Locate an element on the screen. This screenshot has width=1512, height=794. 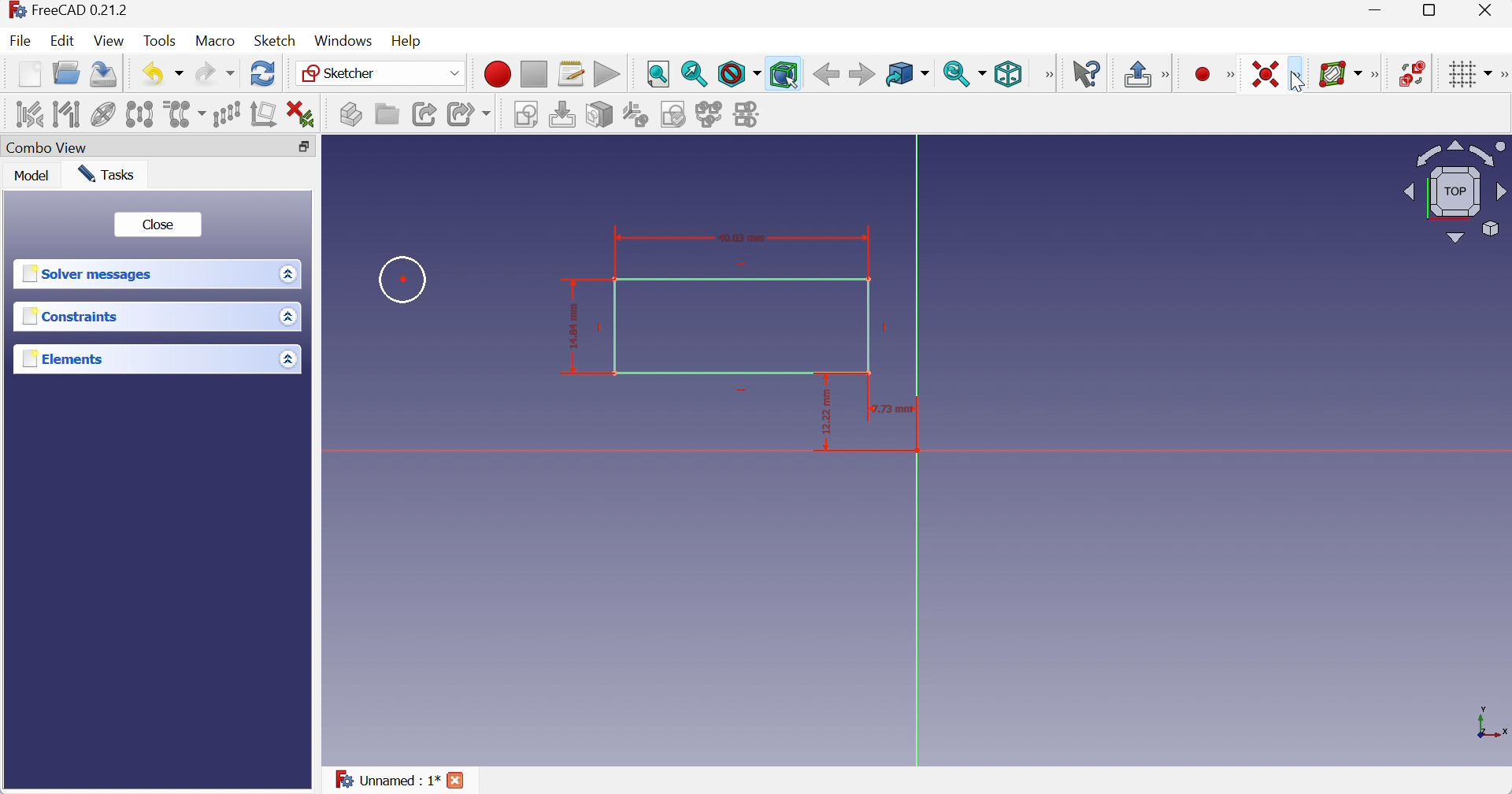
Combo View is located at coordinates (46, 149).